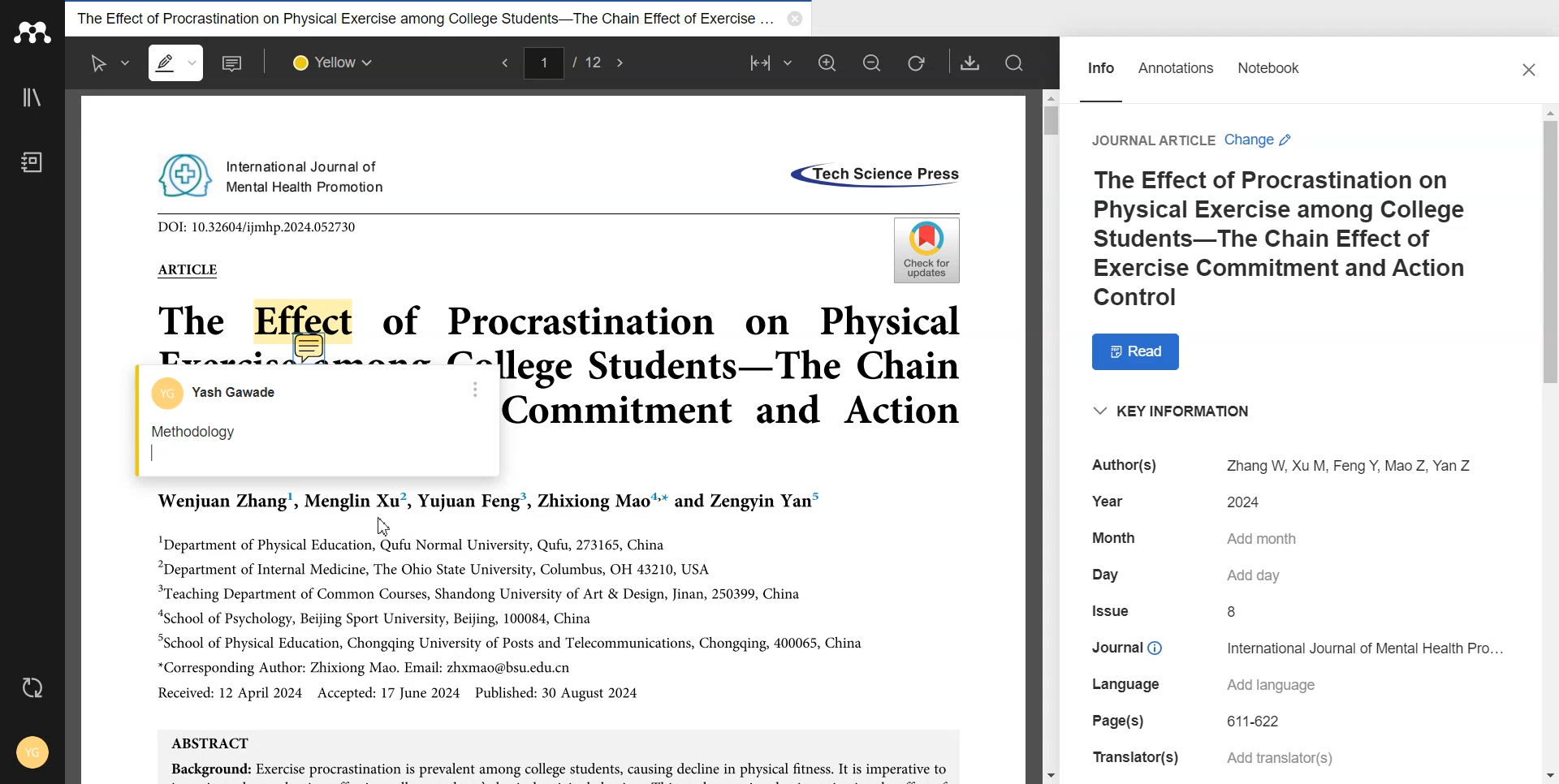 The image size is (1559, 784). Describe the element at coordinates (1272, 71) in the screenshot. I see `Notebook` at that location.